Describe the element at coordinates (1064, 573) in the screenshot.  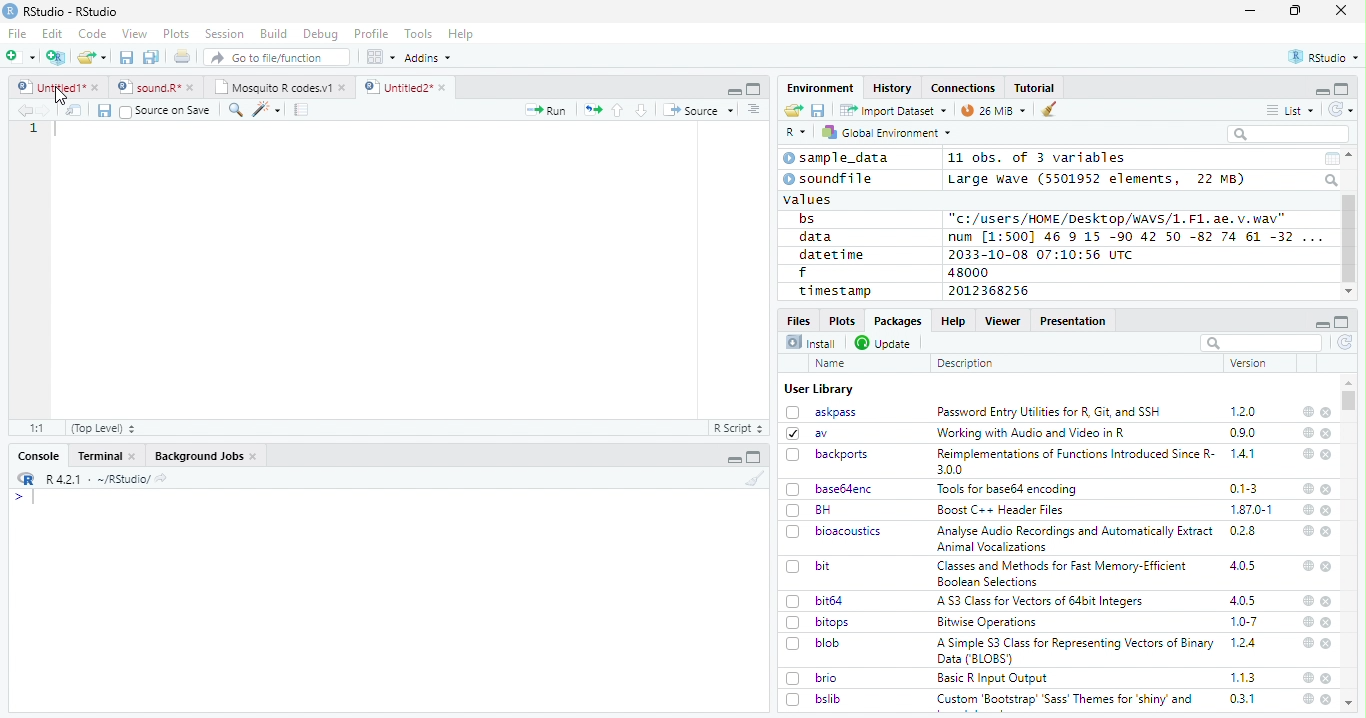
I see `(Classes and Methods for Fast Memory-Efficient
Boolean Selections` at that location.